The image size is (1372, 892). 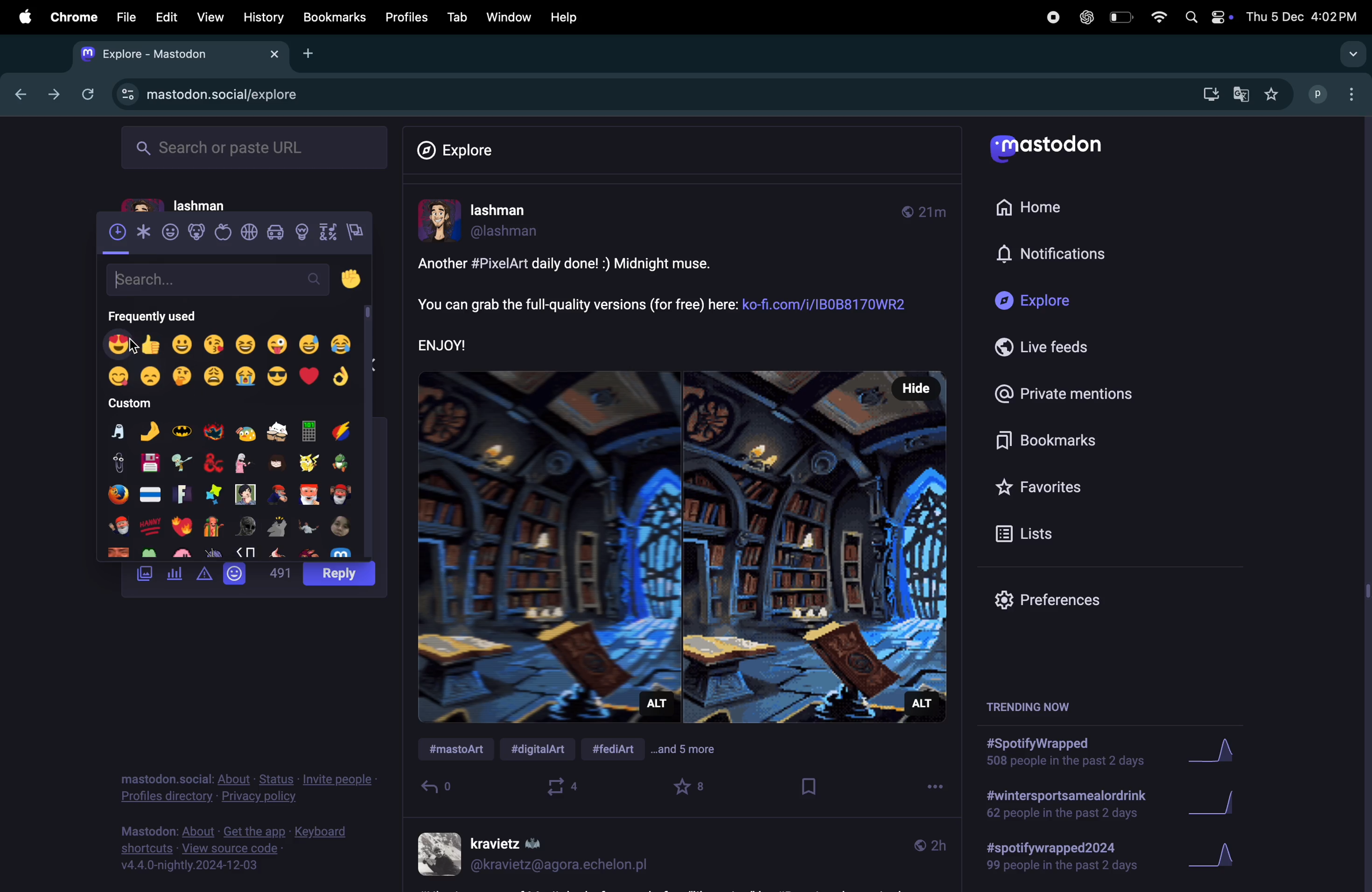 I want to click on Explore, so click(x=1063, y=304).